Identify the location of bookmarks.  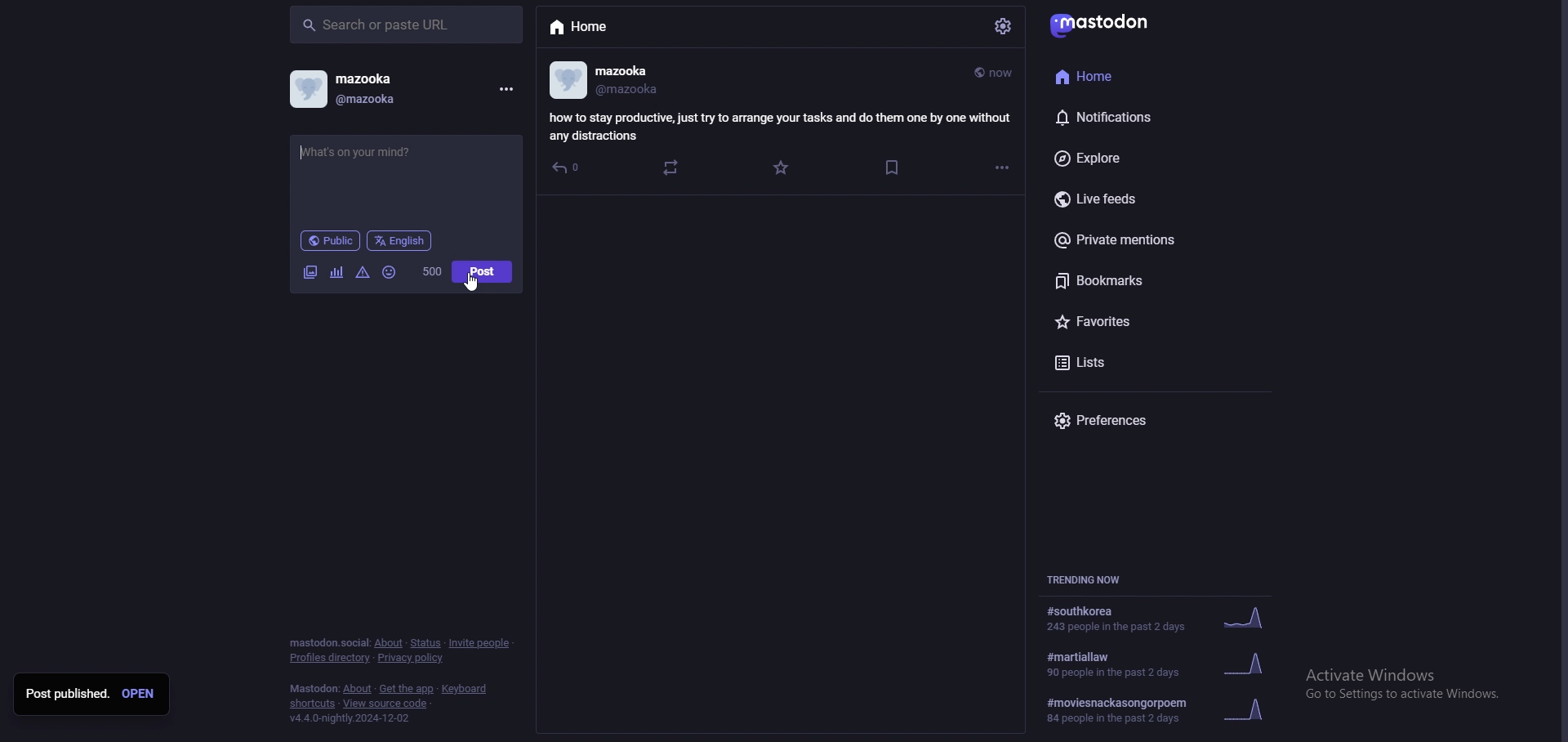
(1142, 280).